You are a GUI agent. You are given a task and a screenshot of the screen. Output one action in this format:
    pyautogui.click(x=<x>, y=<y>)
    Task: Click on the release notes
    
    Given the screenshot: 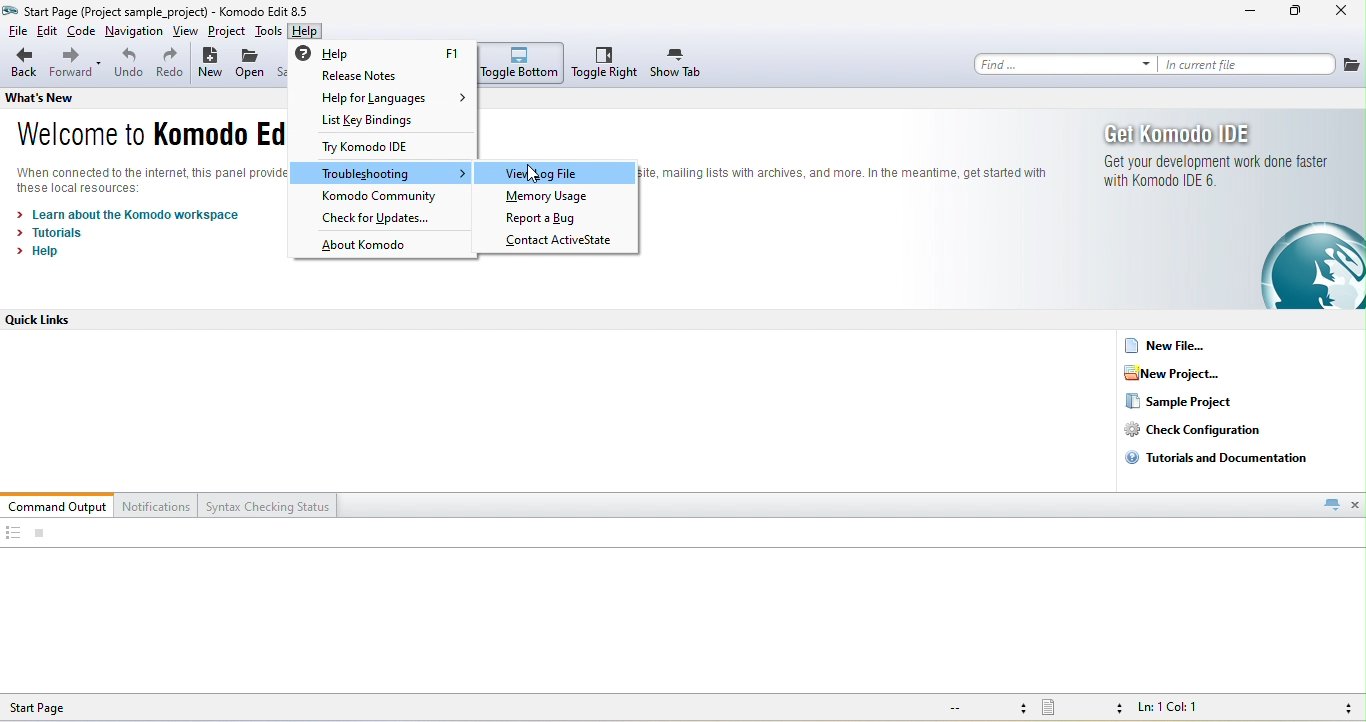 What is the action you would take?
    pyautogui.click(x=383, y=77)
    